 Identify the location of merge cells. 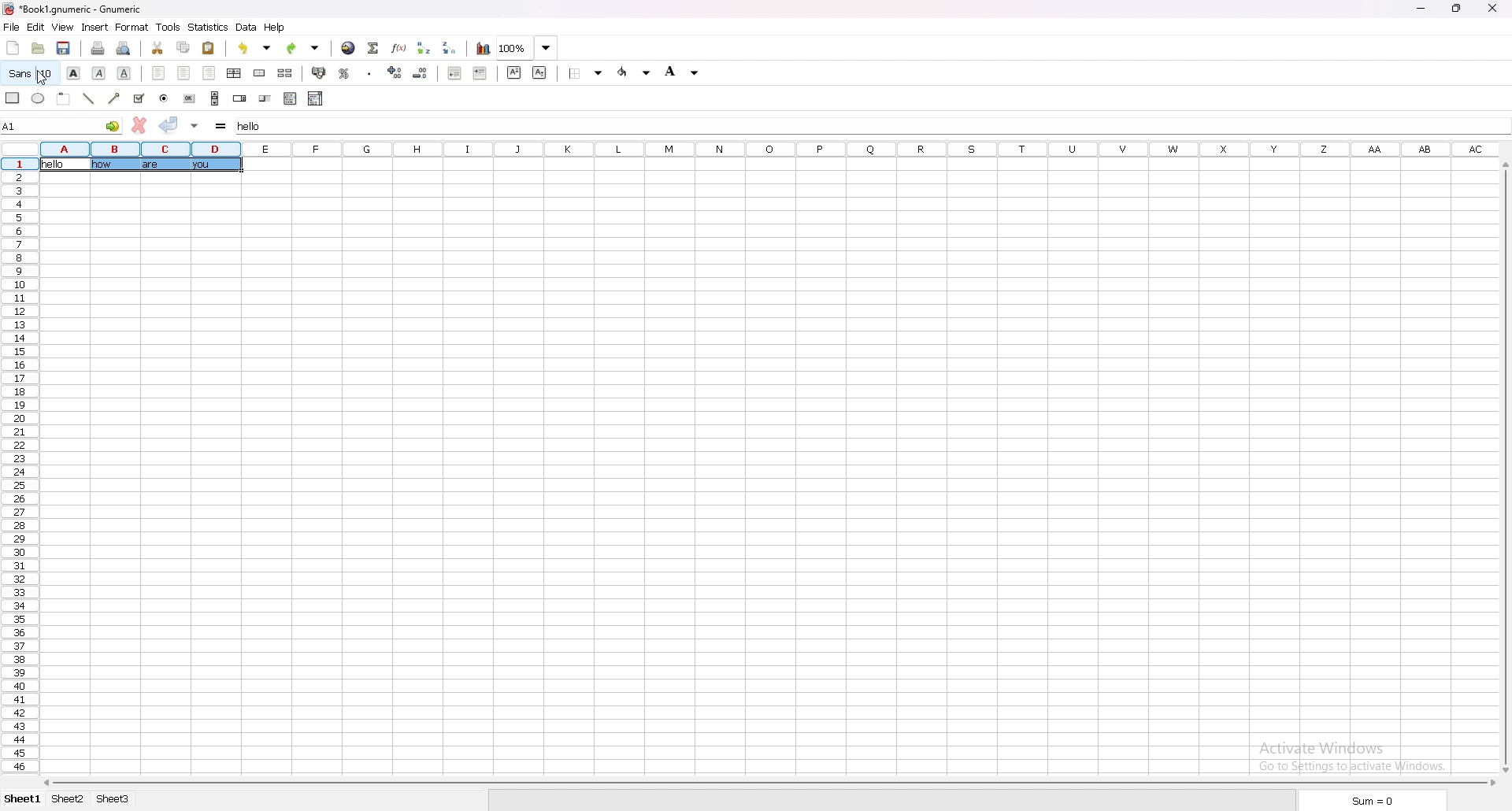
(259, 73).